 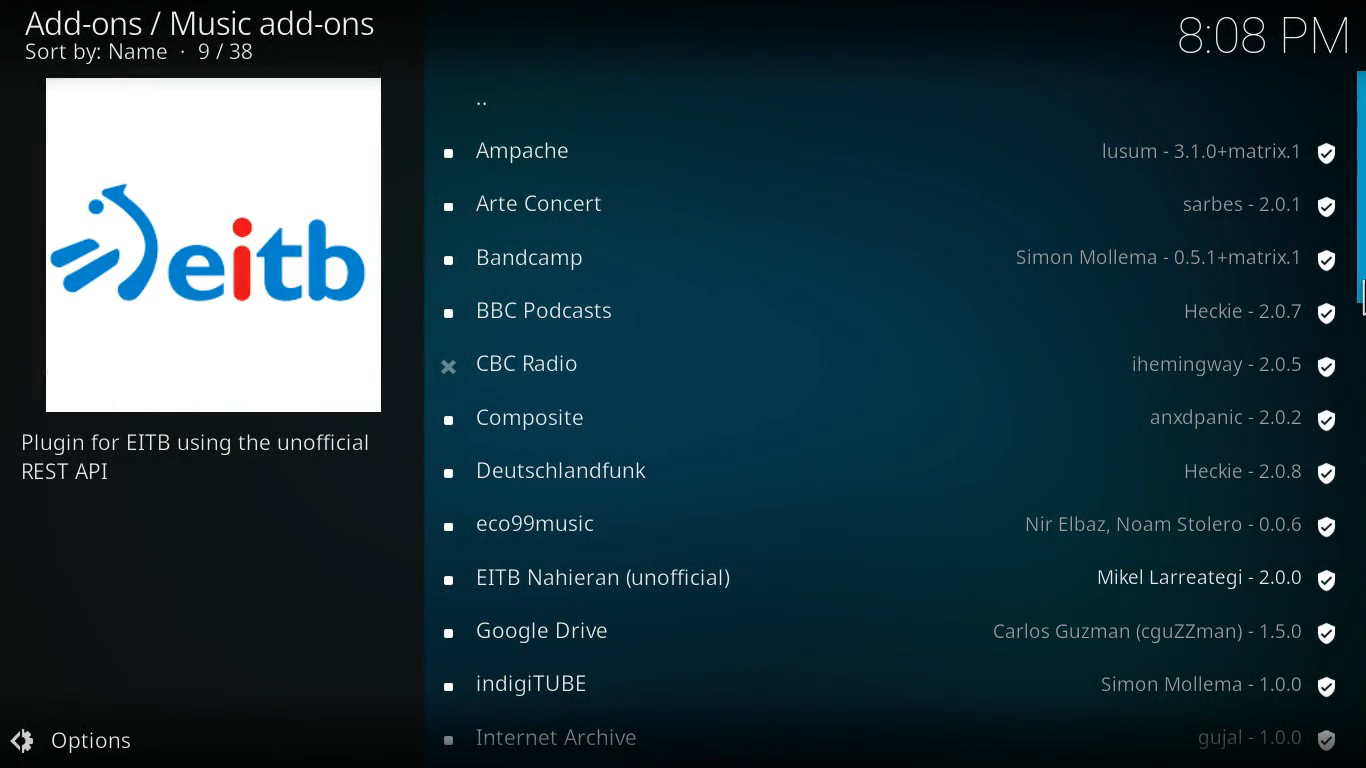 What do you see at coordinates (489, 103) in the screenshot?
I see `back` at bounding box center [489, 103].